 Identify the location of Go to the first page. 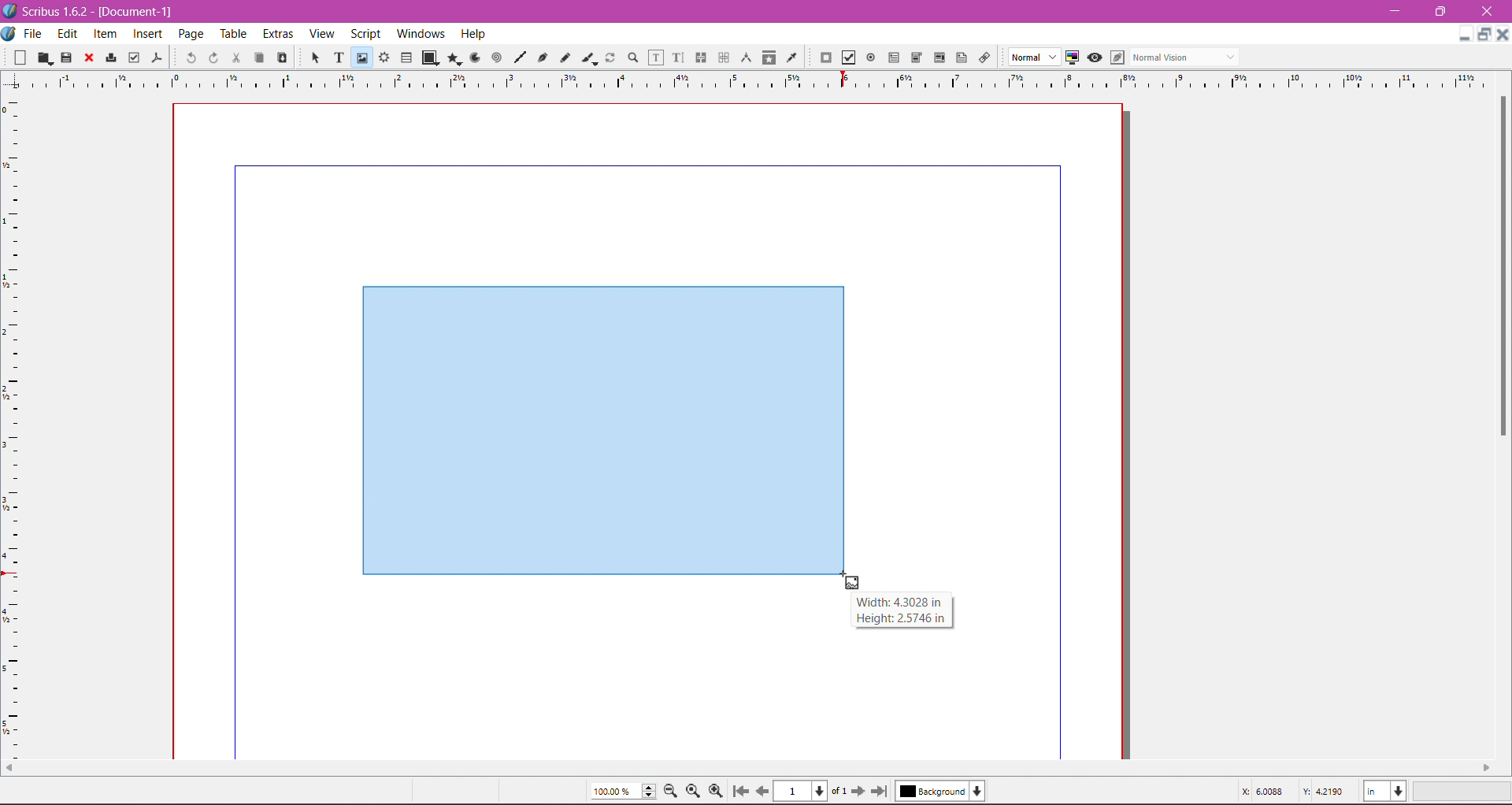
(743, 791).